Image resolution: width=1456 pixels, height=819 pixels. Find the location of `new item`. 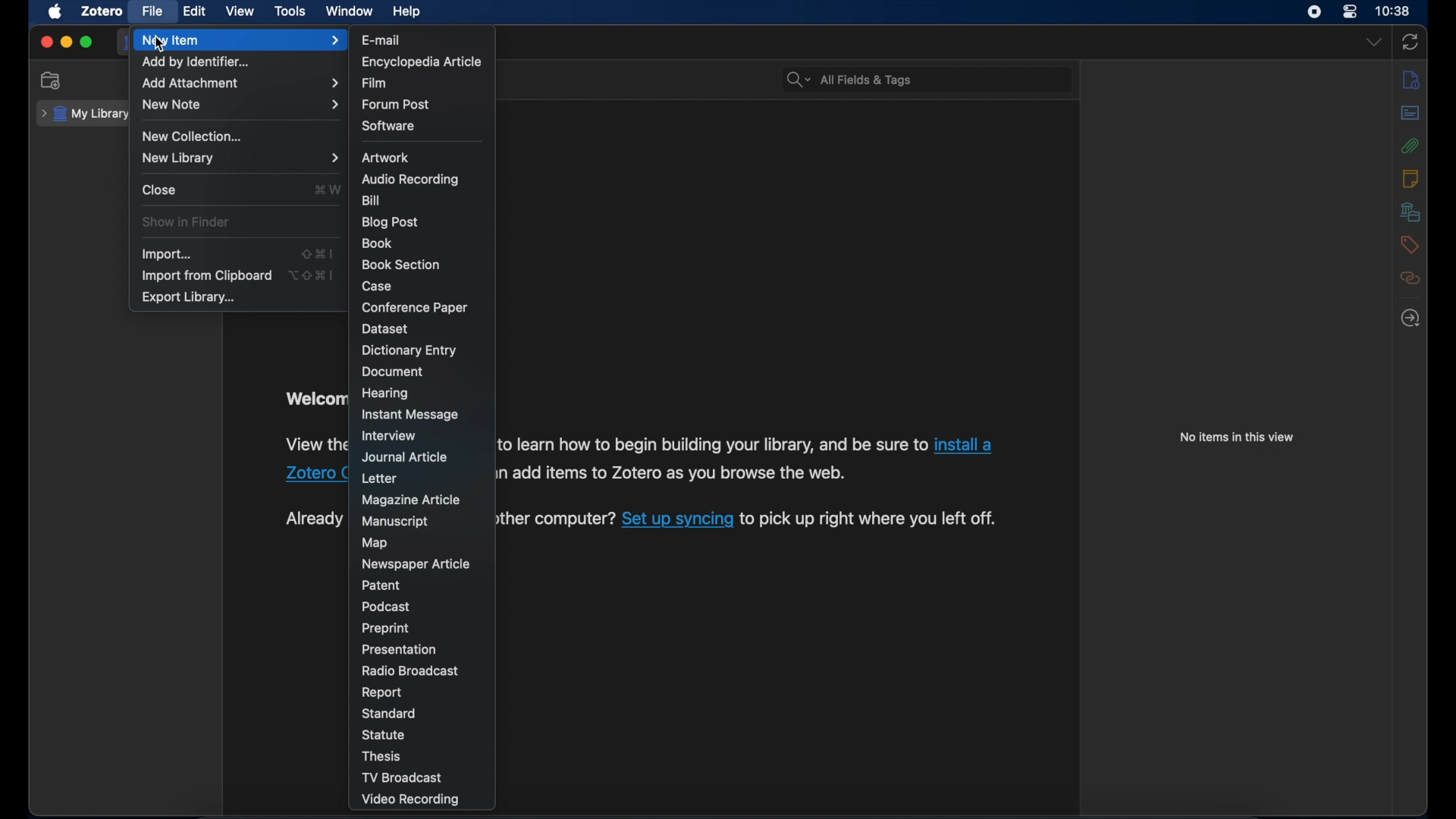

new item is located at coordinates (241, 40).